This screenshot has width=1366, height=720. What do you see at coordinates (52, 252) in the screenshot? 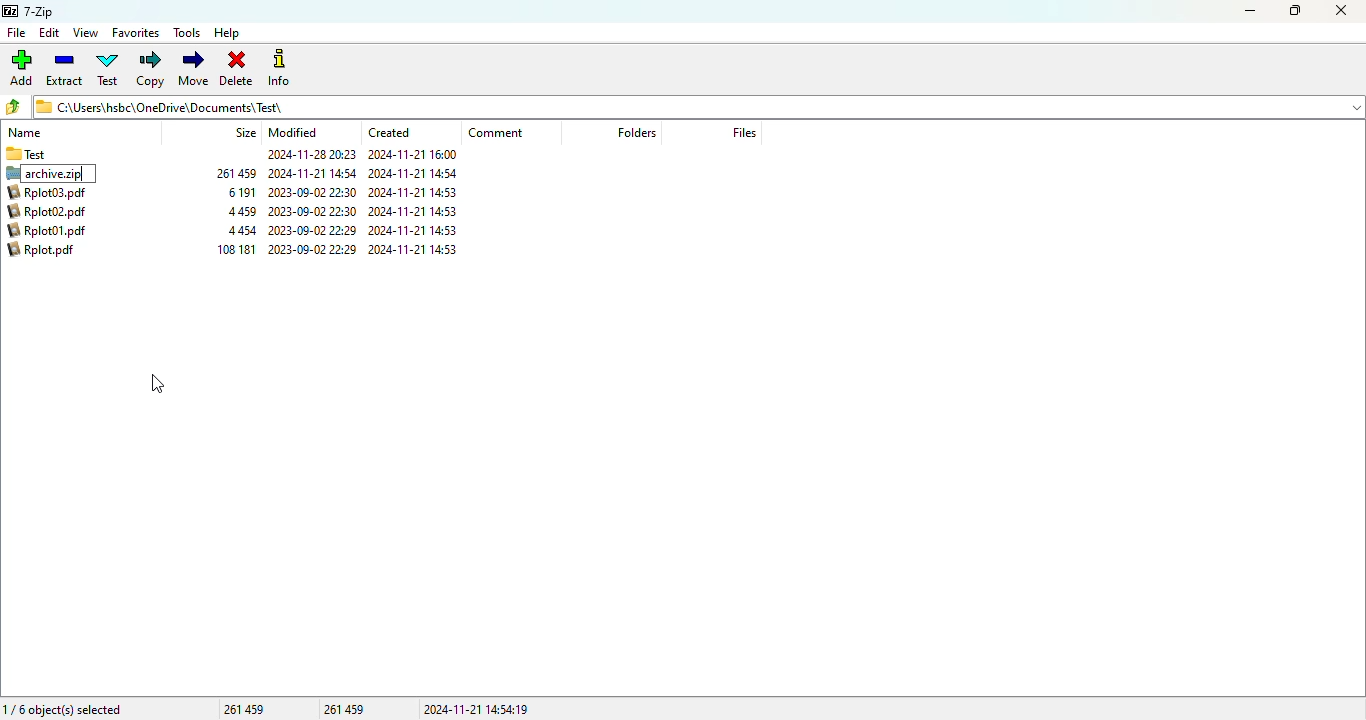
I see `Rplot.pdf 108181 2023-09-02 22:29 2024-11-21 14:53` at bounding box center [52, 252].